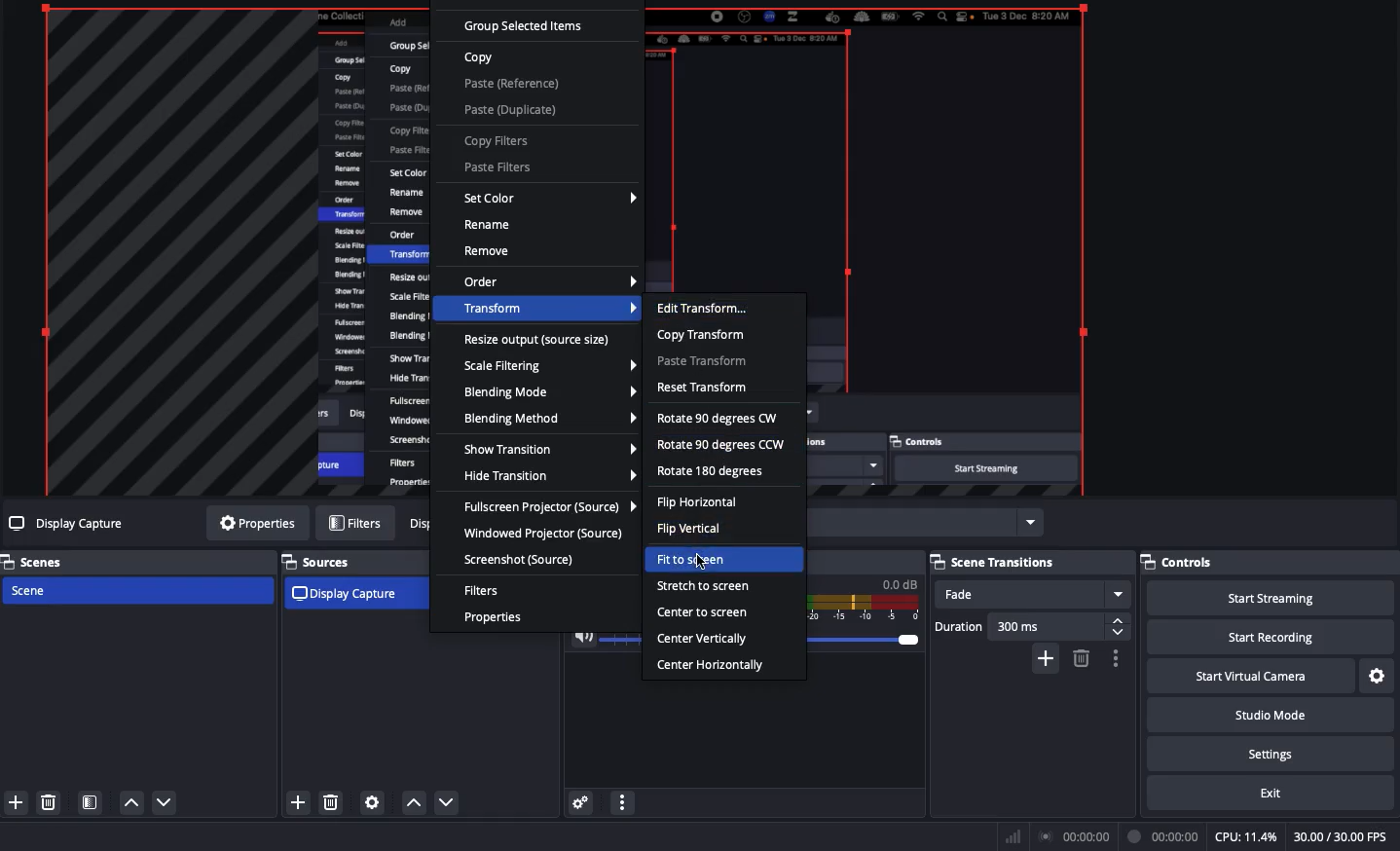 Image resolution: width=1400 pixels, height=851 pixels. I want to click on Blending method, so click(548, 417).